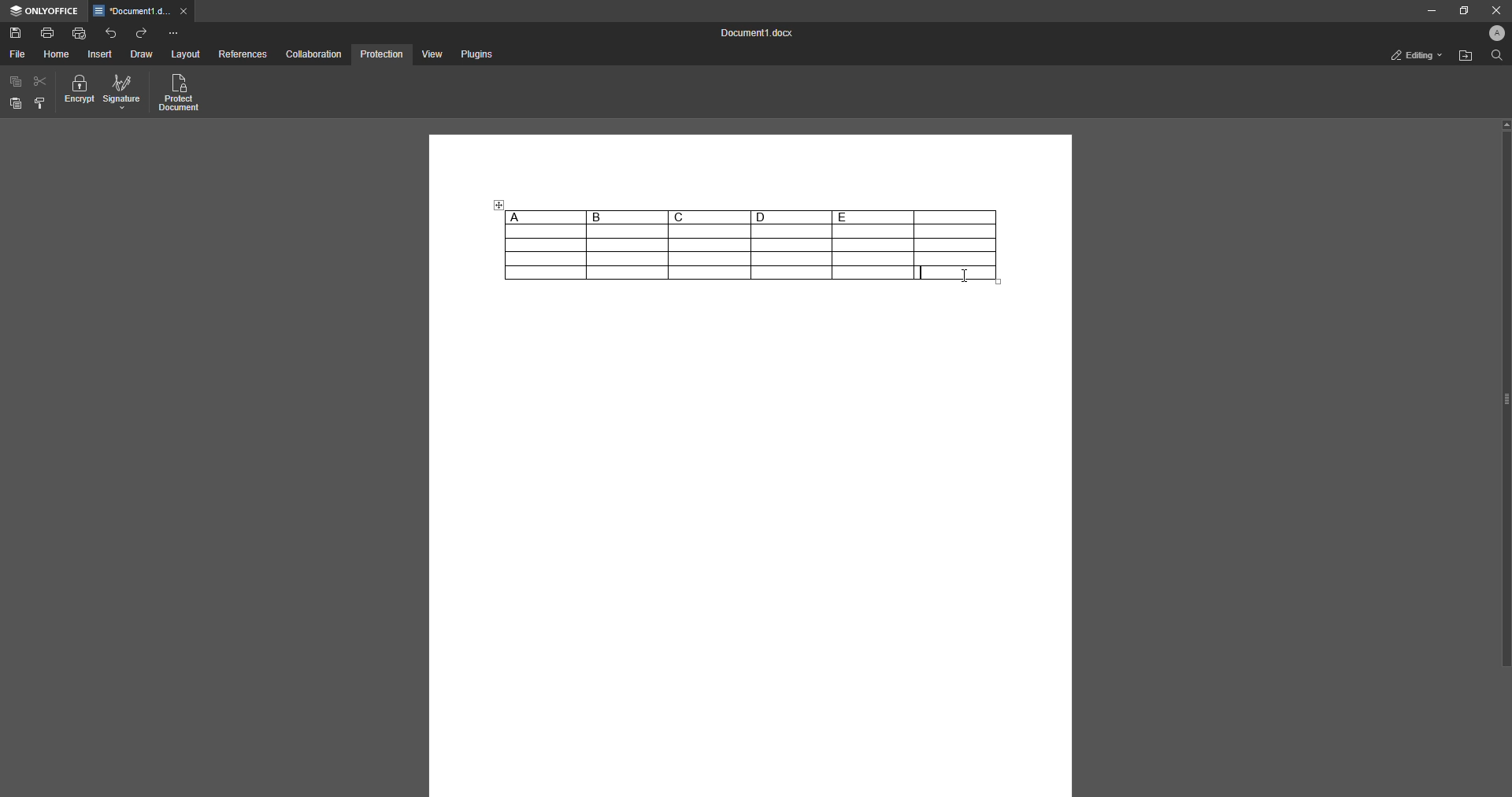  Describe the element at coordinates (17, 54) in the screenshot. I see `File` at that location.